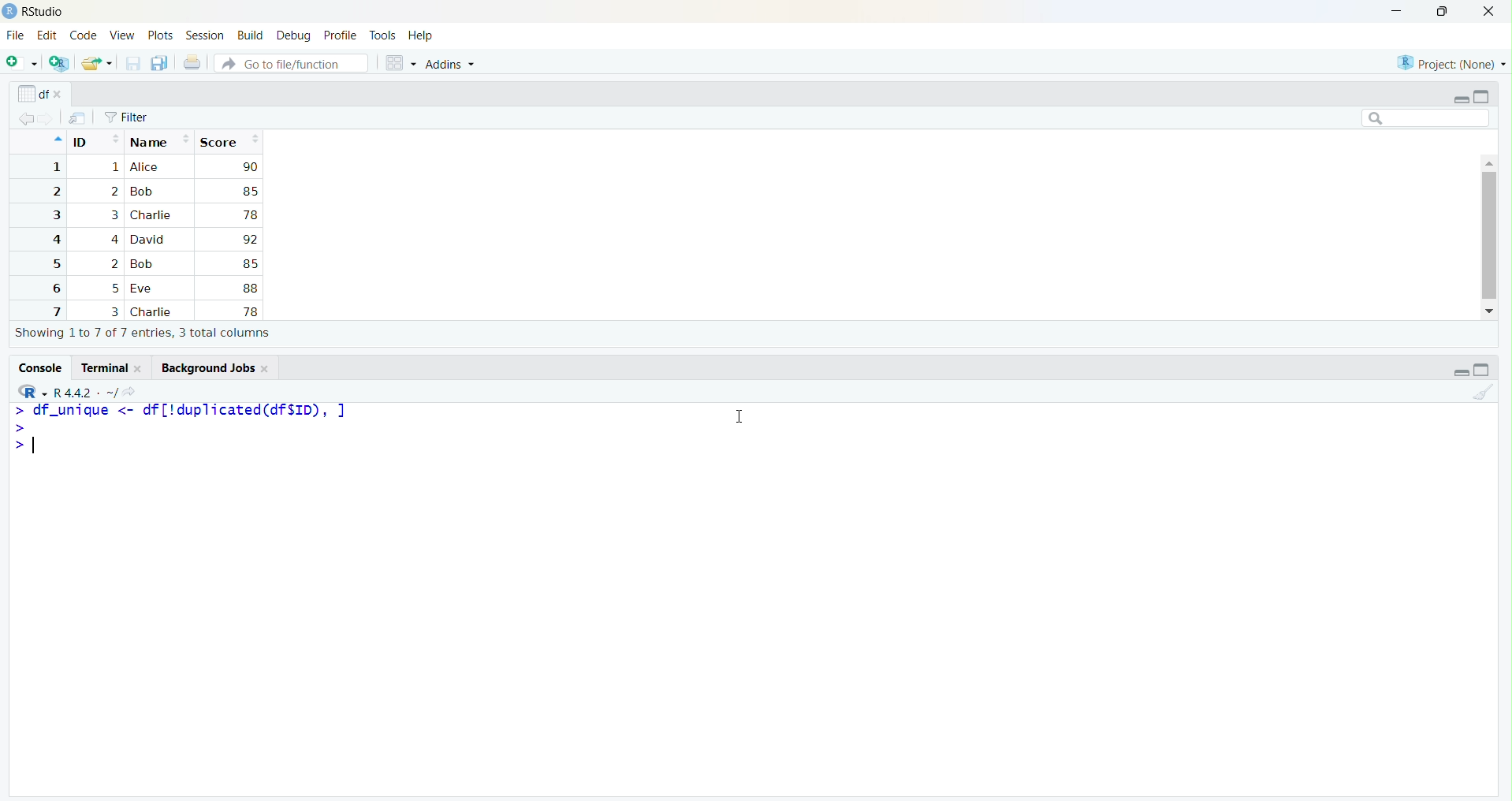 Image resolution: width=1512 pixels, height=801 pixels. I want to click on Project (None), so click(1448, 64).